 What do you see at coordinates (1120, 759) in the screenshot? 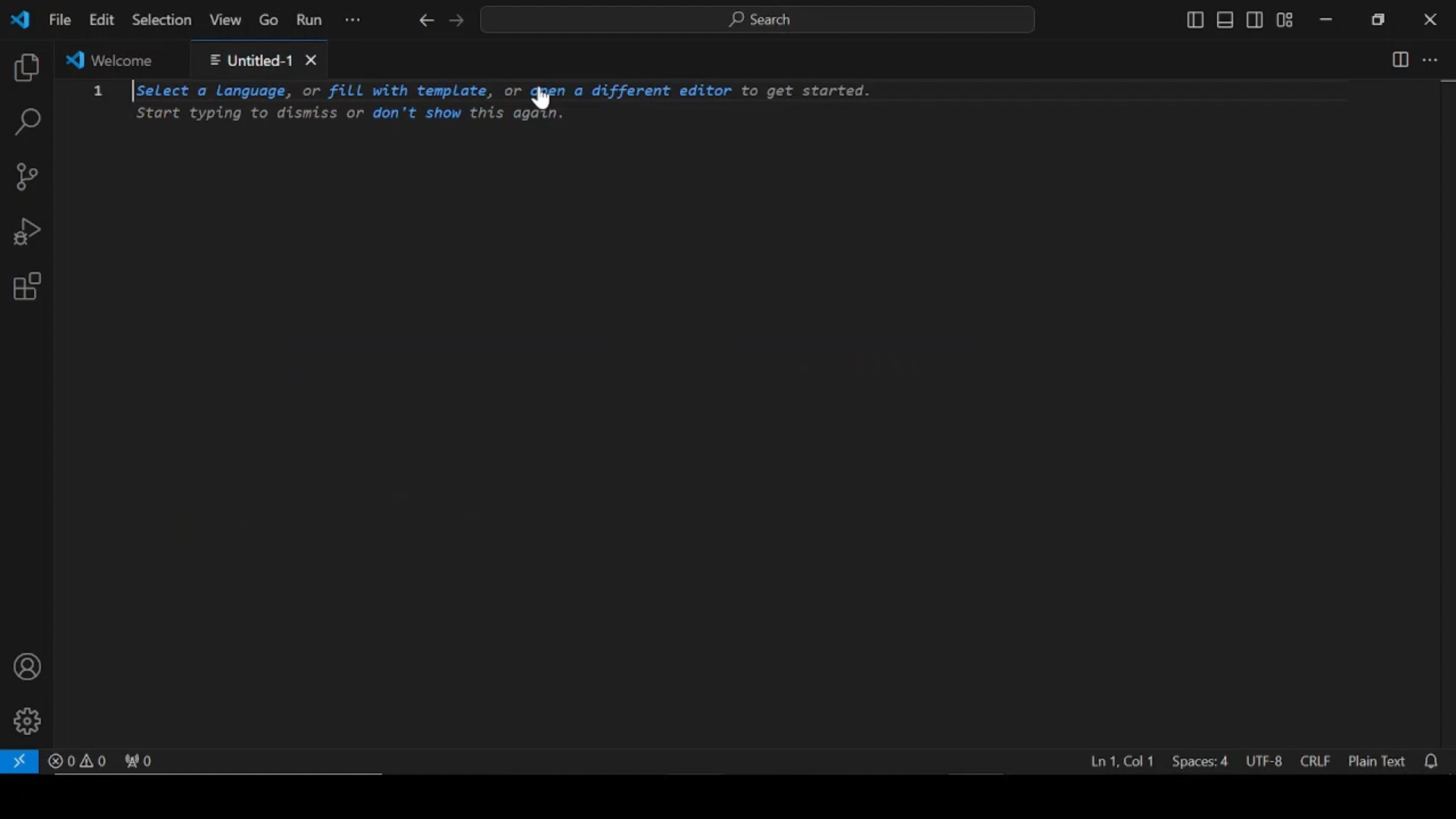
I see `Ln, Col1` at bounding box center [1120, 759].